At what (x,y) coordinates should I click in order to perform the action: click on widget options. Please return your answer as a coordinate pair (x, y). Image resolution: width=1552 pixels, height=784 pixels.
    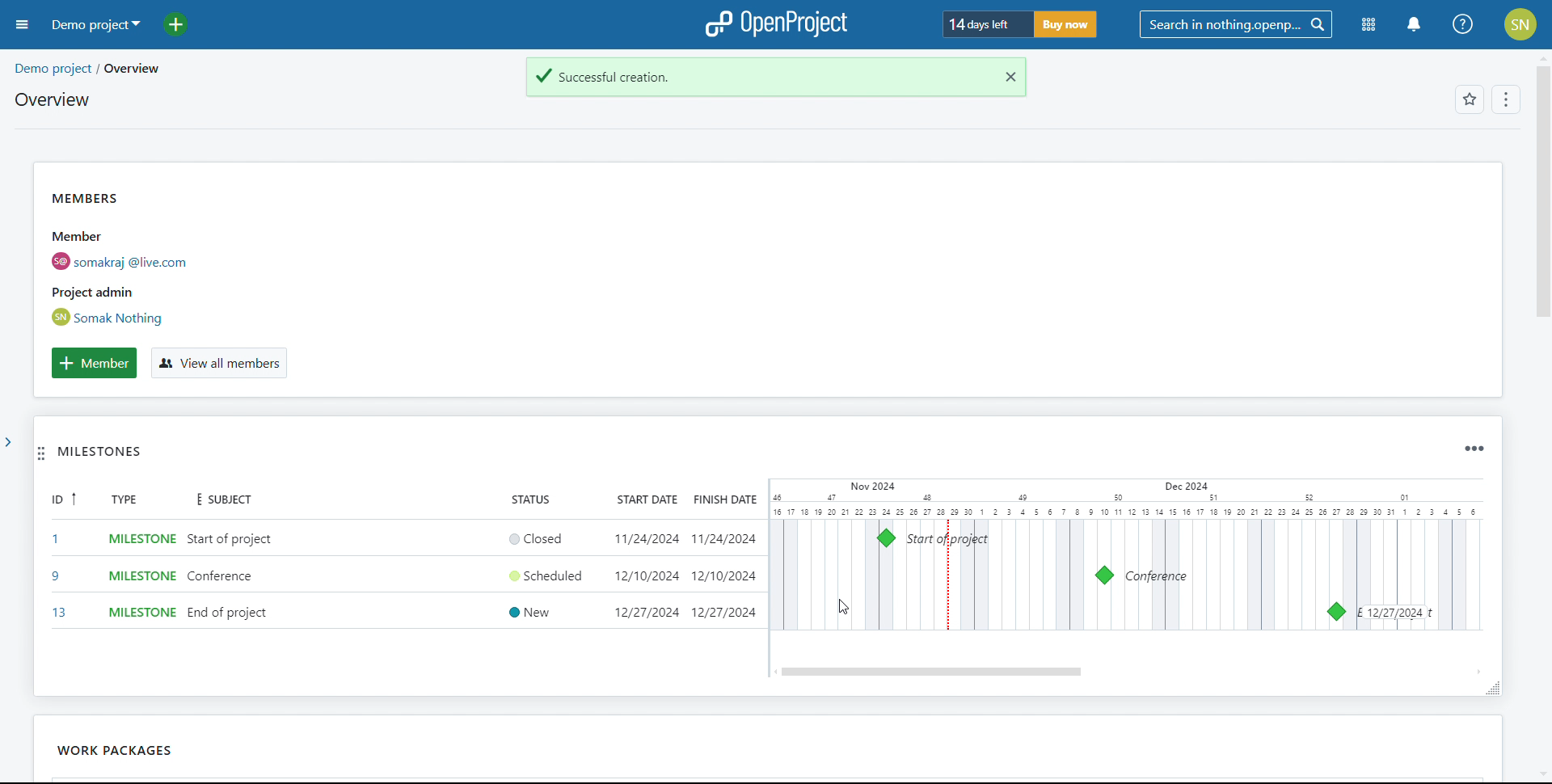
    Looking at the image, I should click on (1472, 449).